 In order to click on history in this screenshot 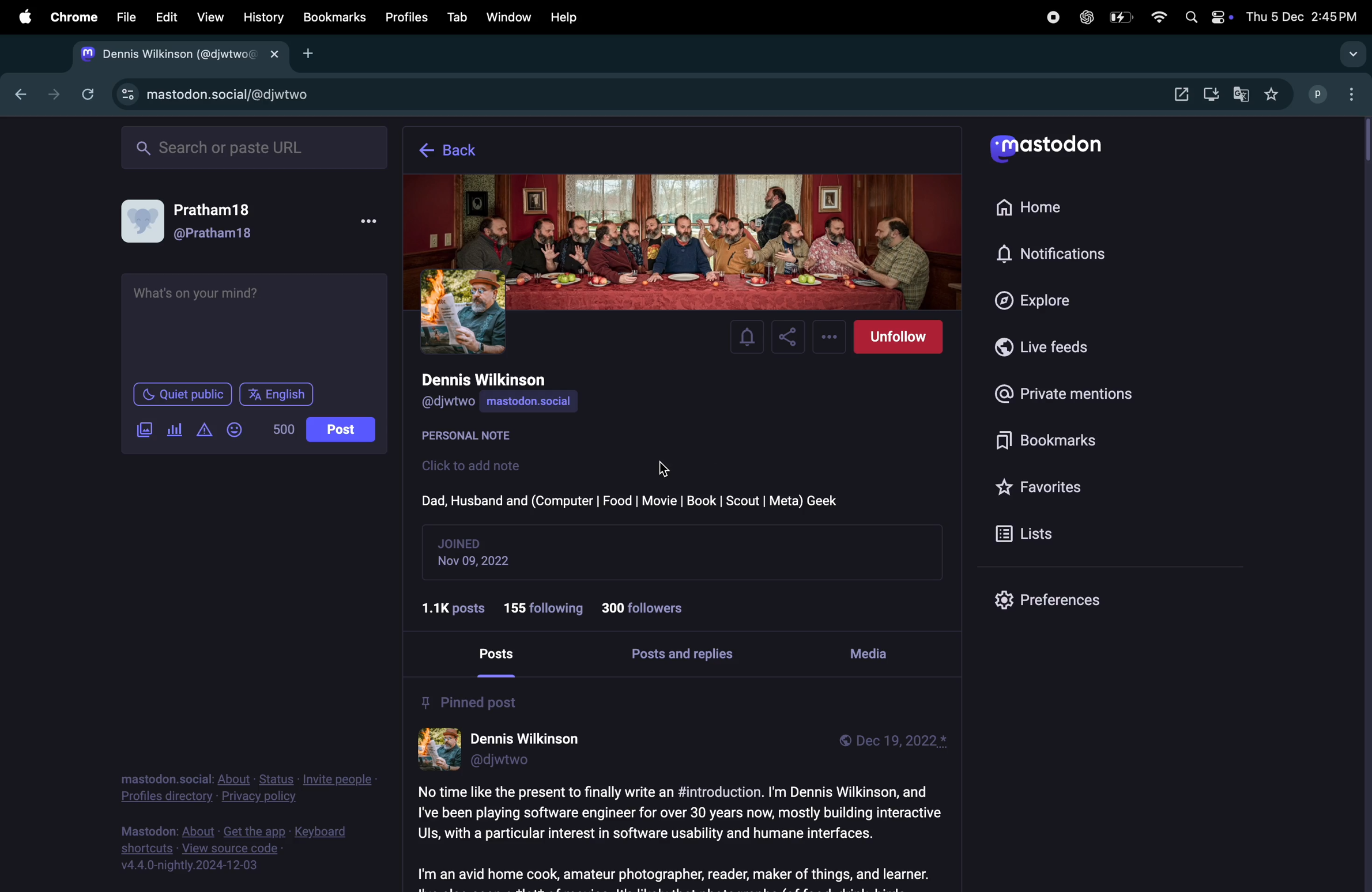, I will do `click(263, 17)`.